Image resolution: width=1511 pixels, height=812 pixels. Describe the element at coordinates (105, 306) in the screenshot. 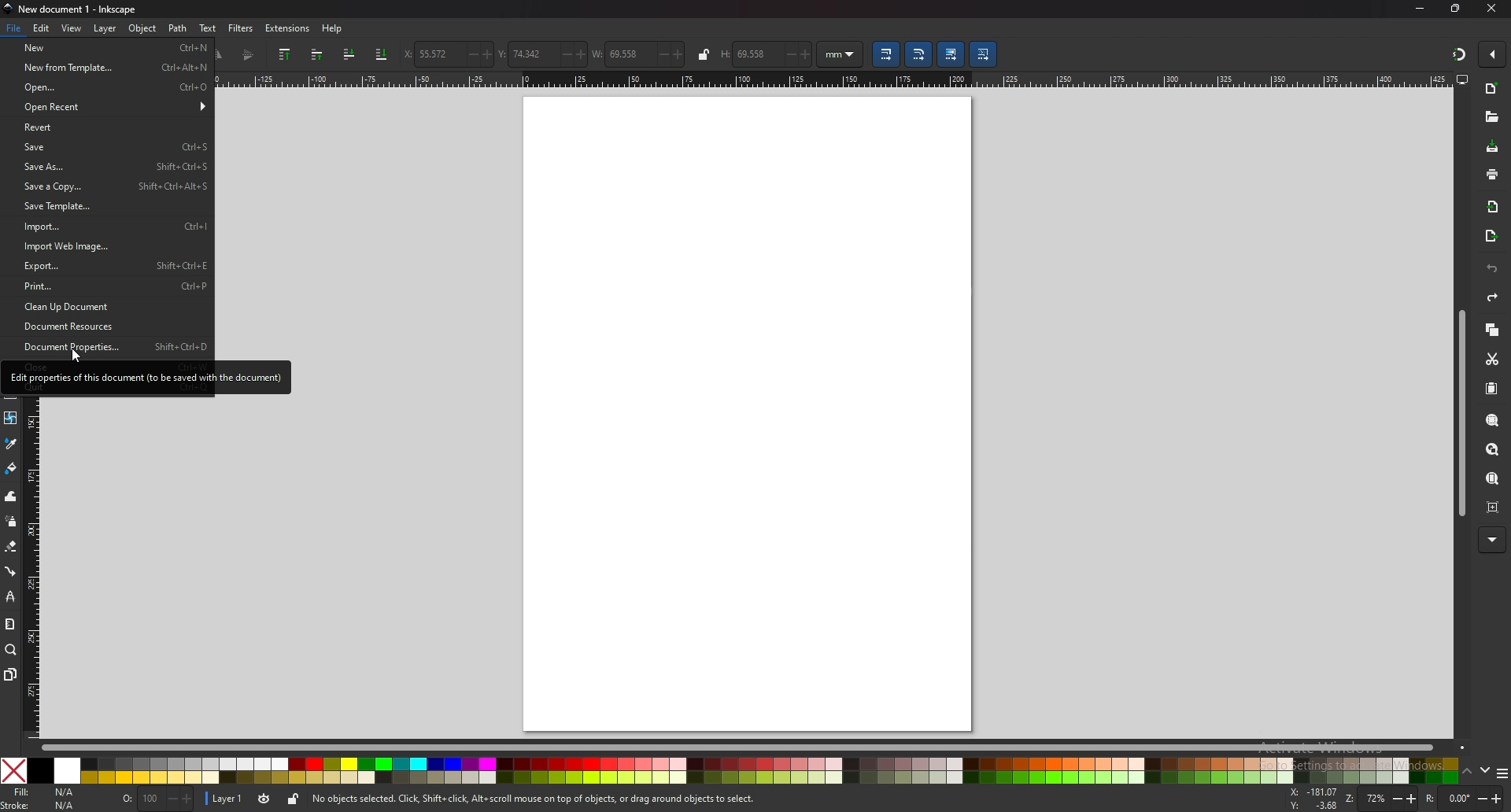

I see `clean up document` at that location.